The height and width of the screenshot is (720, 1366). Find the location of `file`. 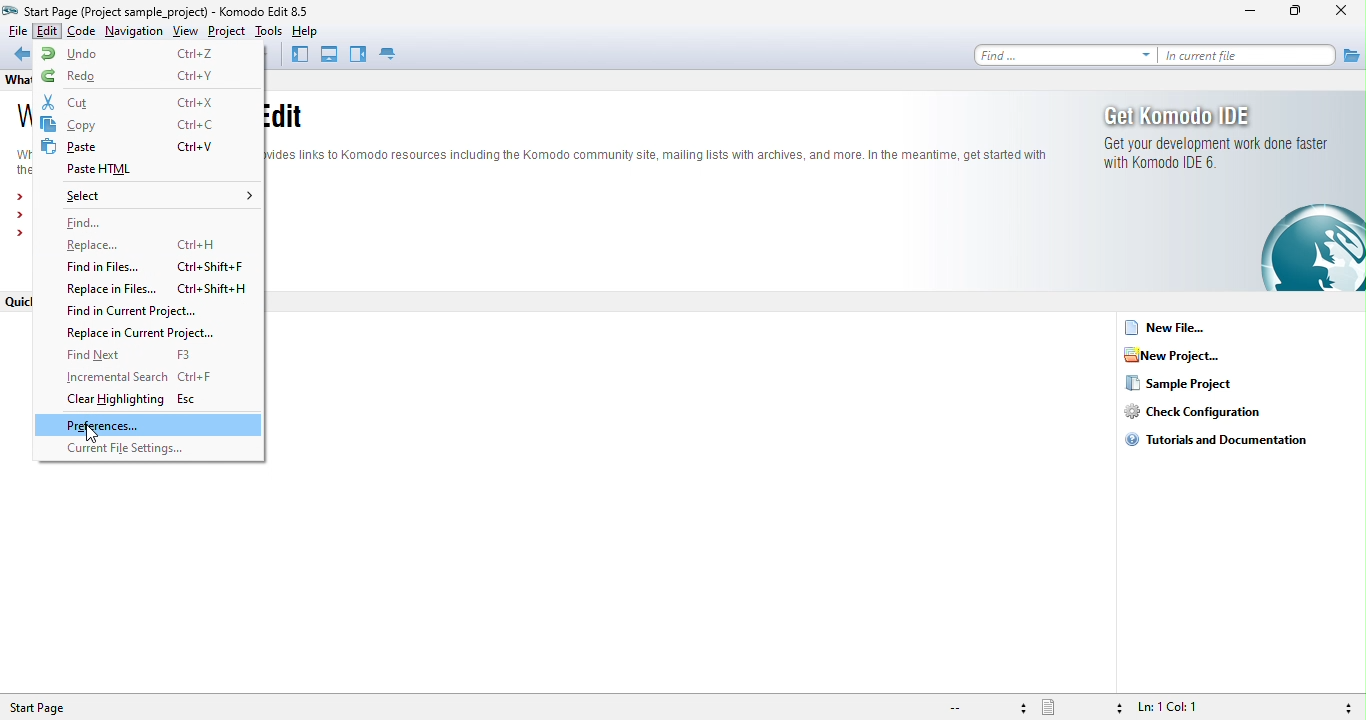

file is located at coordinates (1351, 54).